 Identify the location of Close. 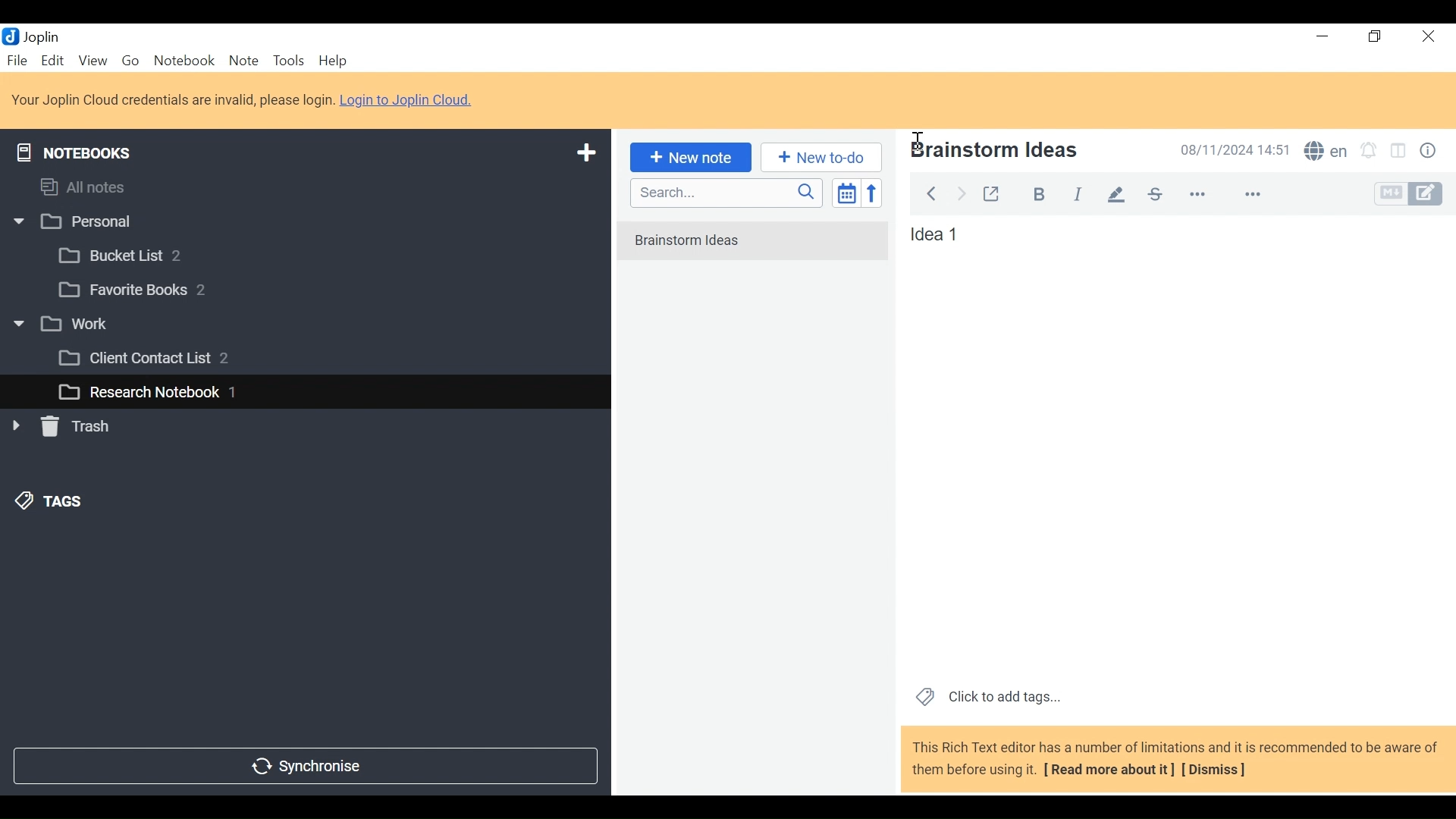
(1426, 37).